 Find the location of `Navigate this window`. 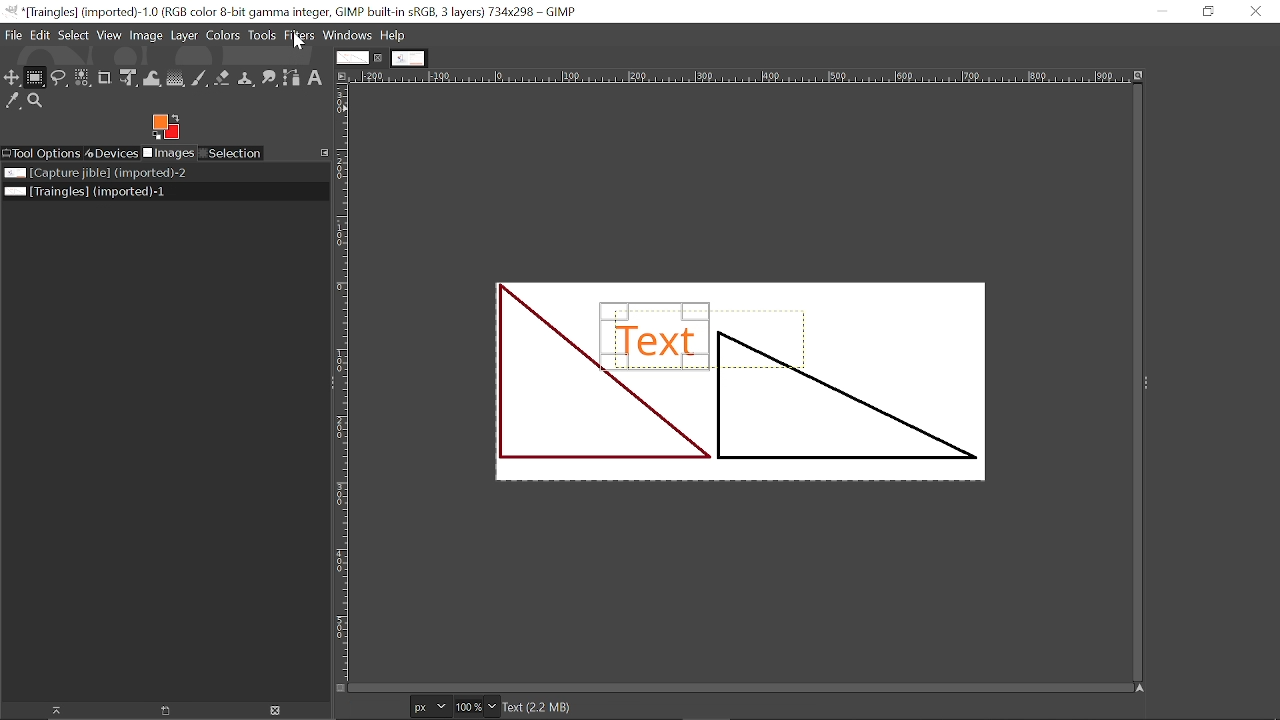

Navigate this window is located at coordinates (1138, 689).